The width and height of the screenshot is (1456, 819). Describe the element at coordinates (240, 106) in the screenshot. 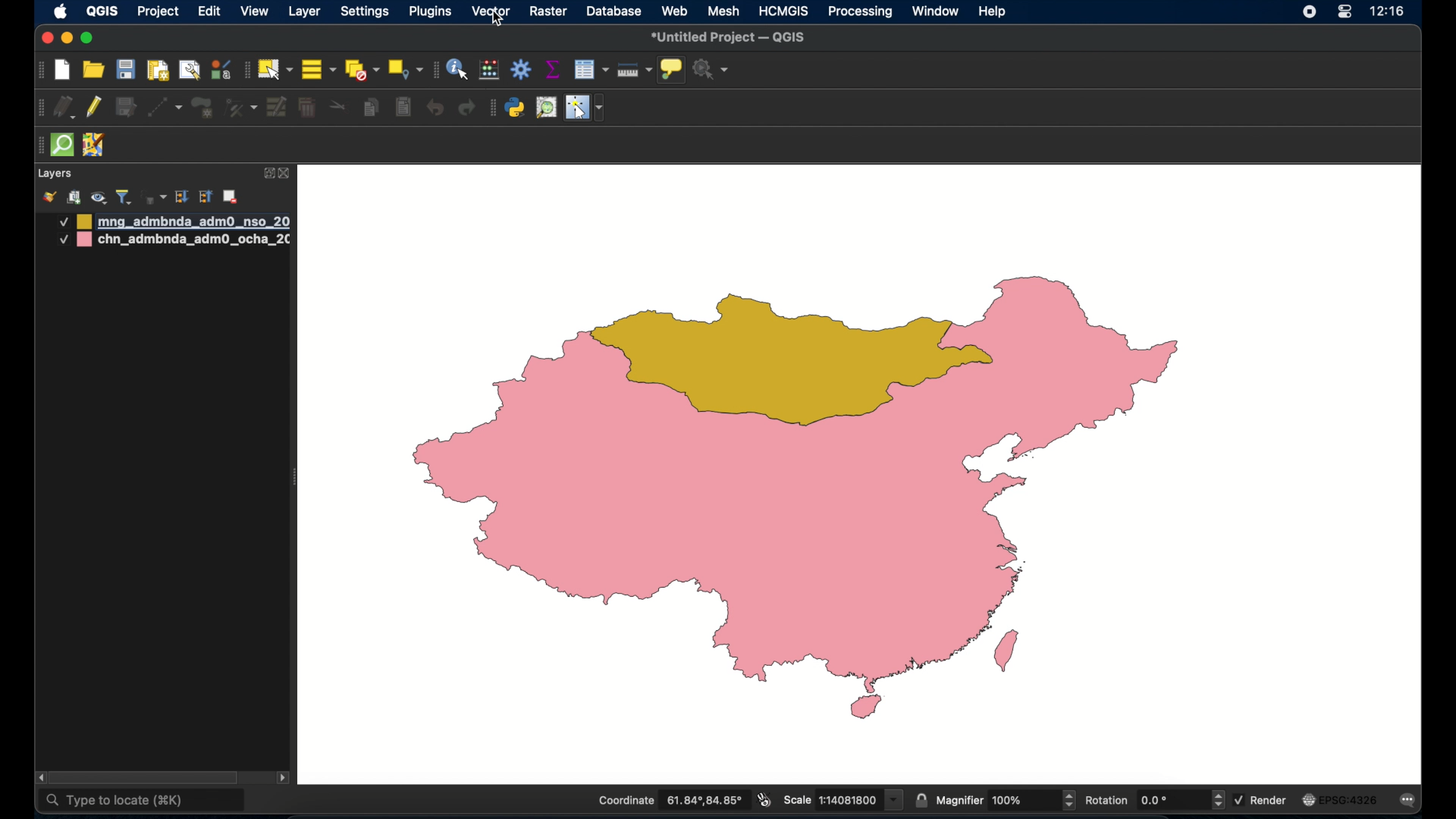

I see `vertex tool` at that location.